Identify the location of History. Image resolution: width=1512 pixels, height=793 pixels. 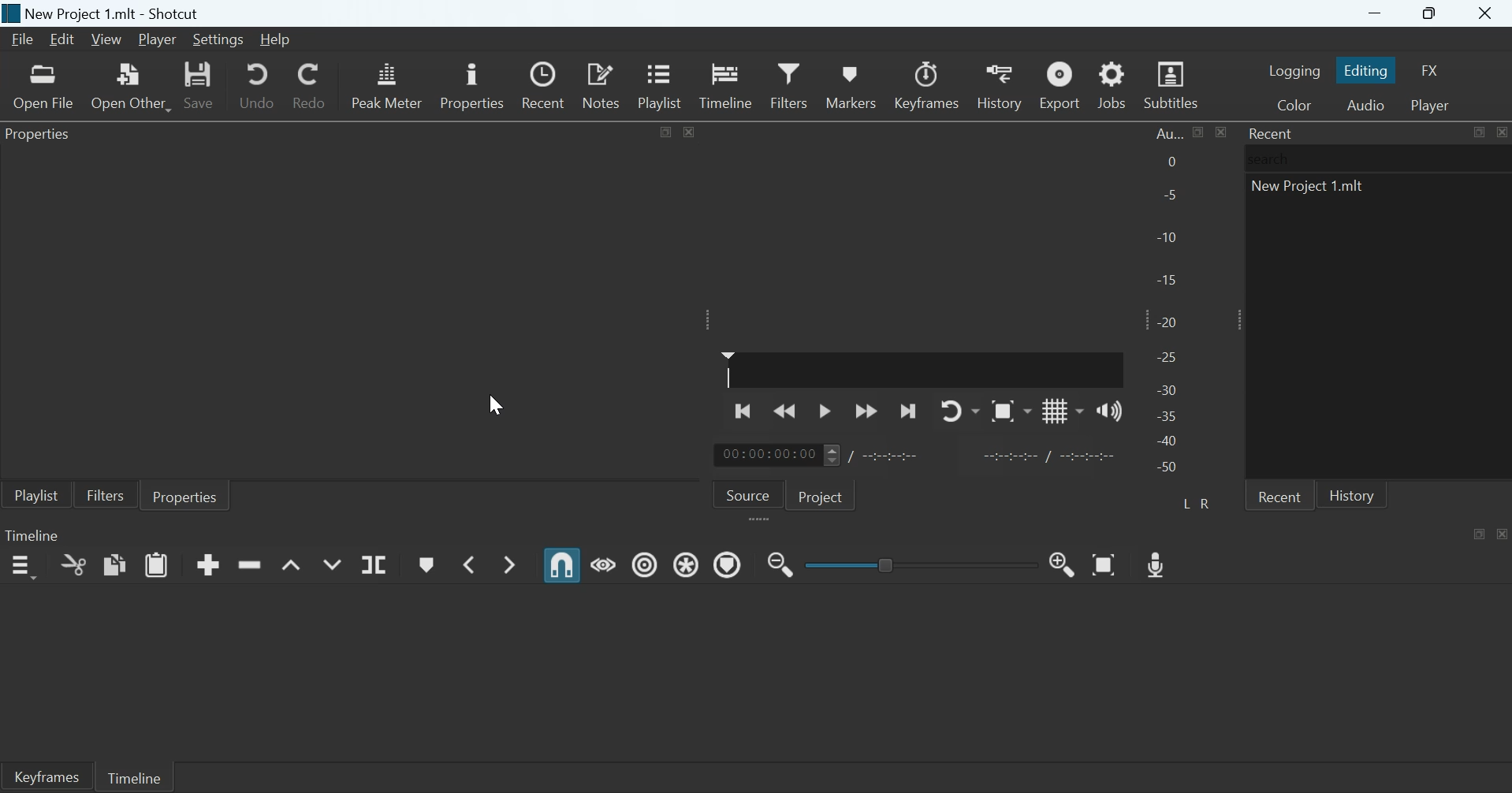
(1352, 494).